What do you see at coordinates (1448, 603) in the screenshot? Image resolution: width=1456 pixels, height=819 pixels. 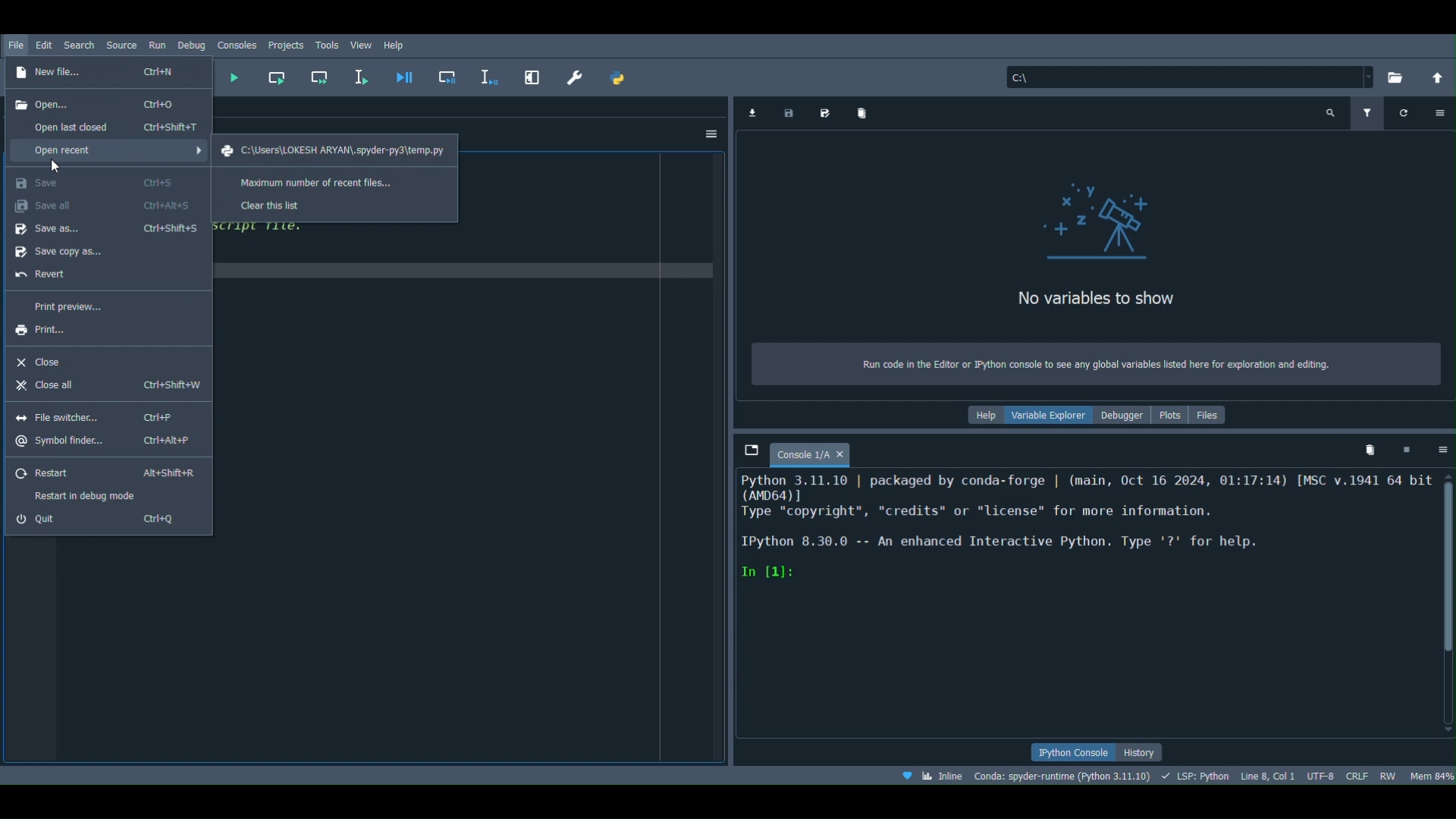 I see `Scrollbar` at bounding box center [1448, 603].